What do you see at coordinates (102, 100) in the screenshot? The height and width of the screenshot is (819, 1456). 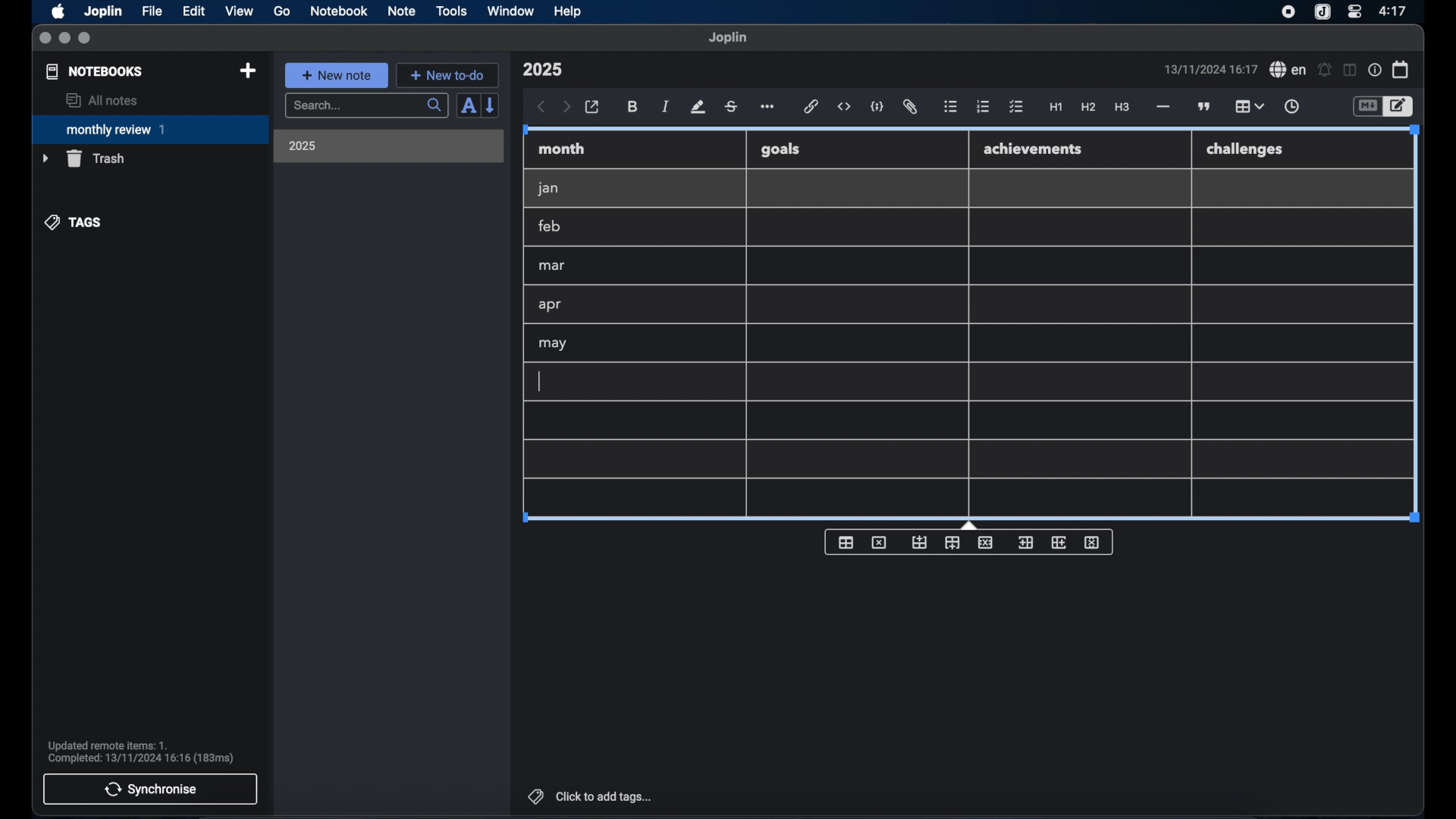 I see `all notes` at bounding box center [102, 100].